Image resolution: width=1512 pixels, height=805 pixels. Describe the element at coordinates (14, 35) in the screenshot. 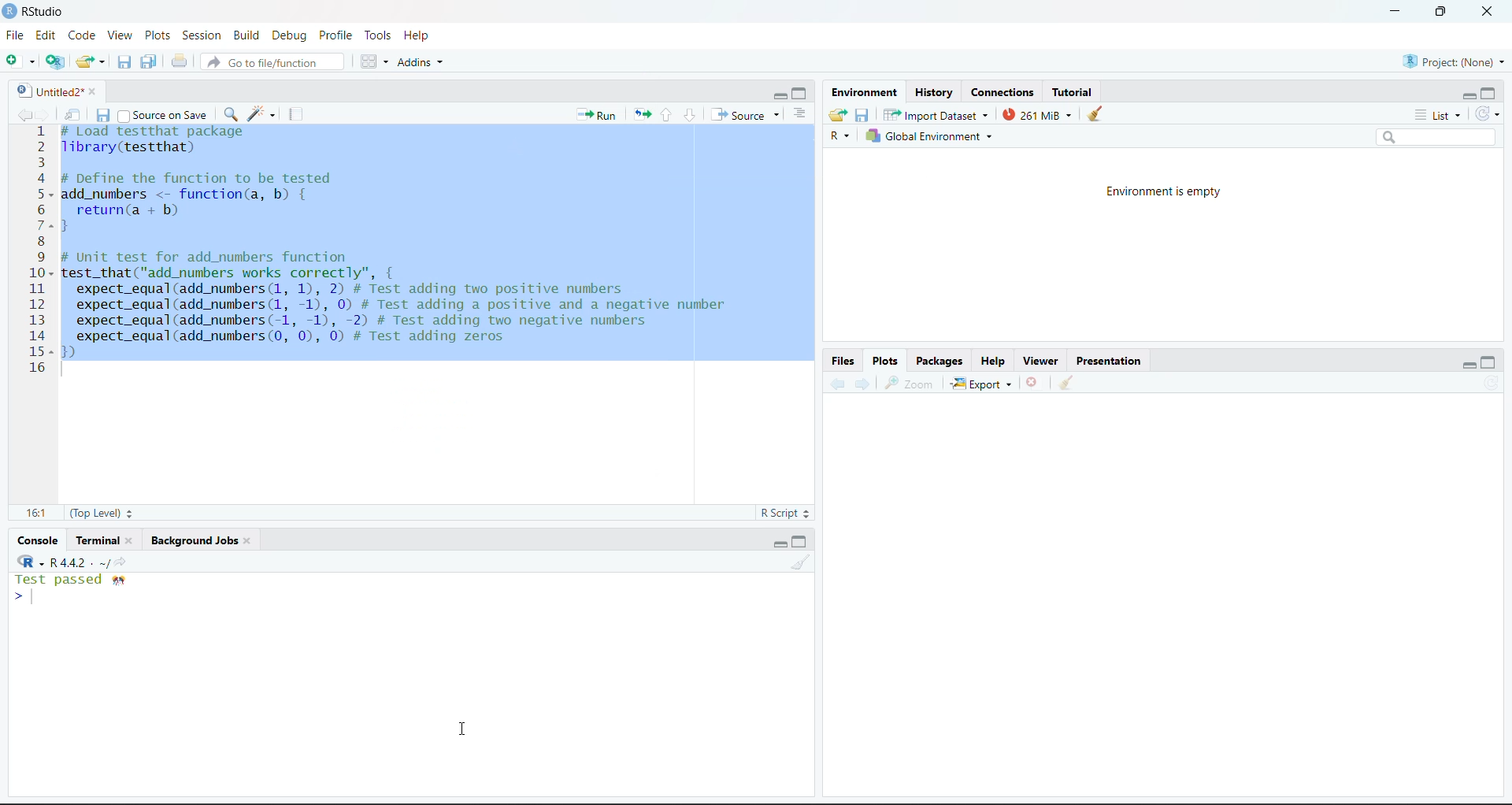

I see `File` at that location.